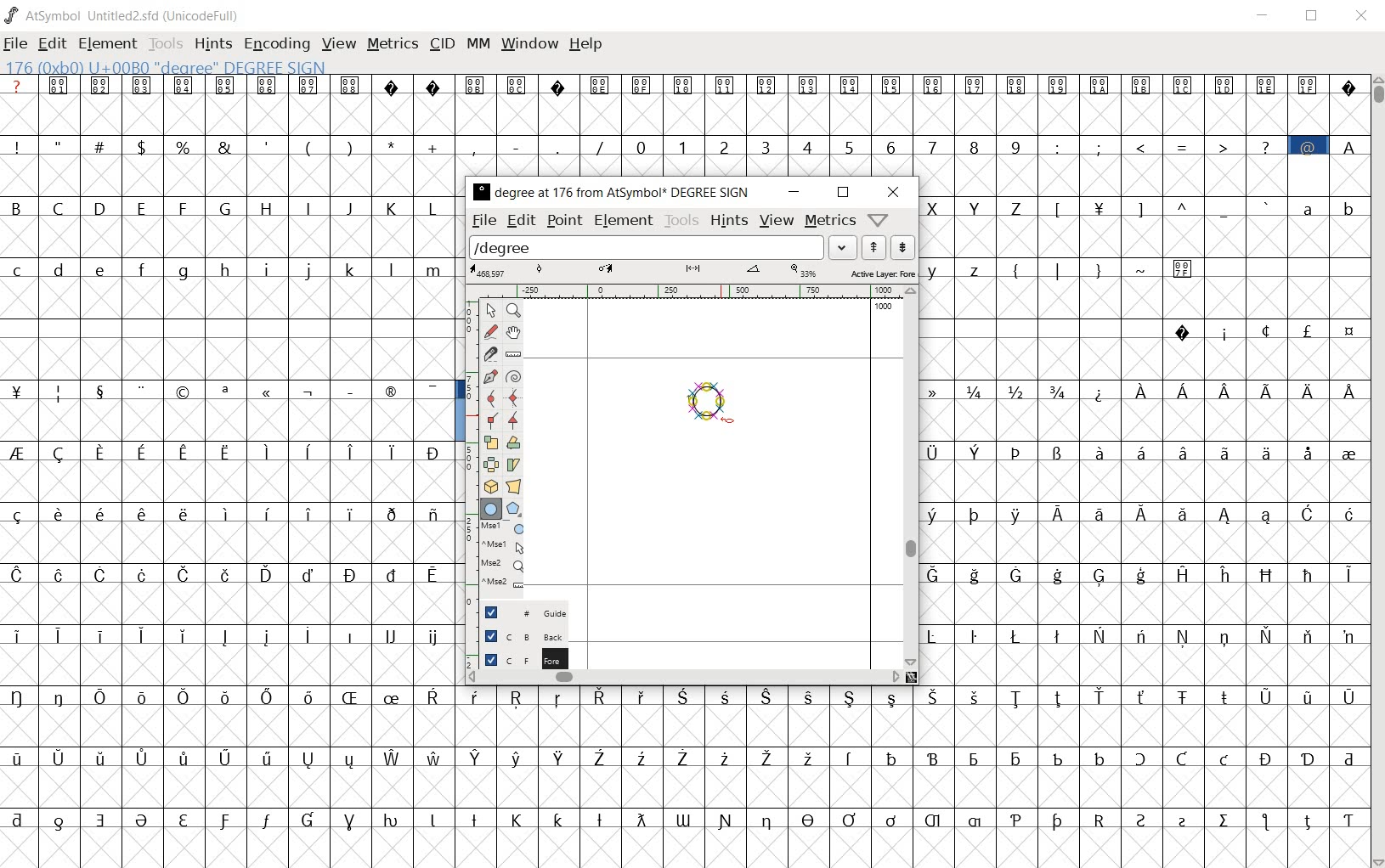  What do you see at coordinates (523, 222) in the screenshot?
I see `edit` at bounding box center [523, 222].